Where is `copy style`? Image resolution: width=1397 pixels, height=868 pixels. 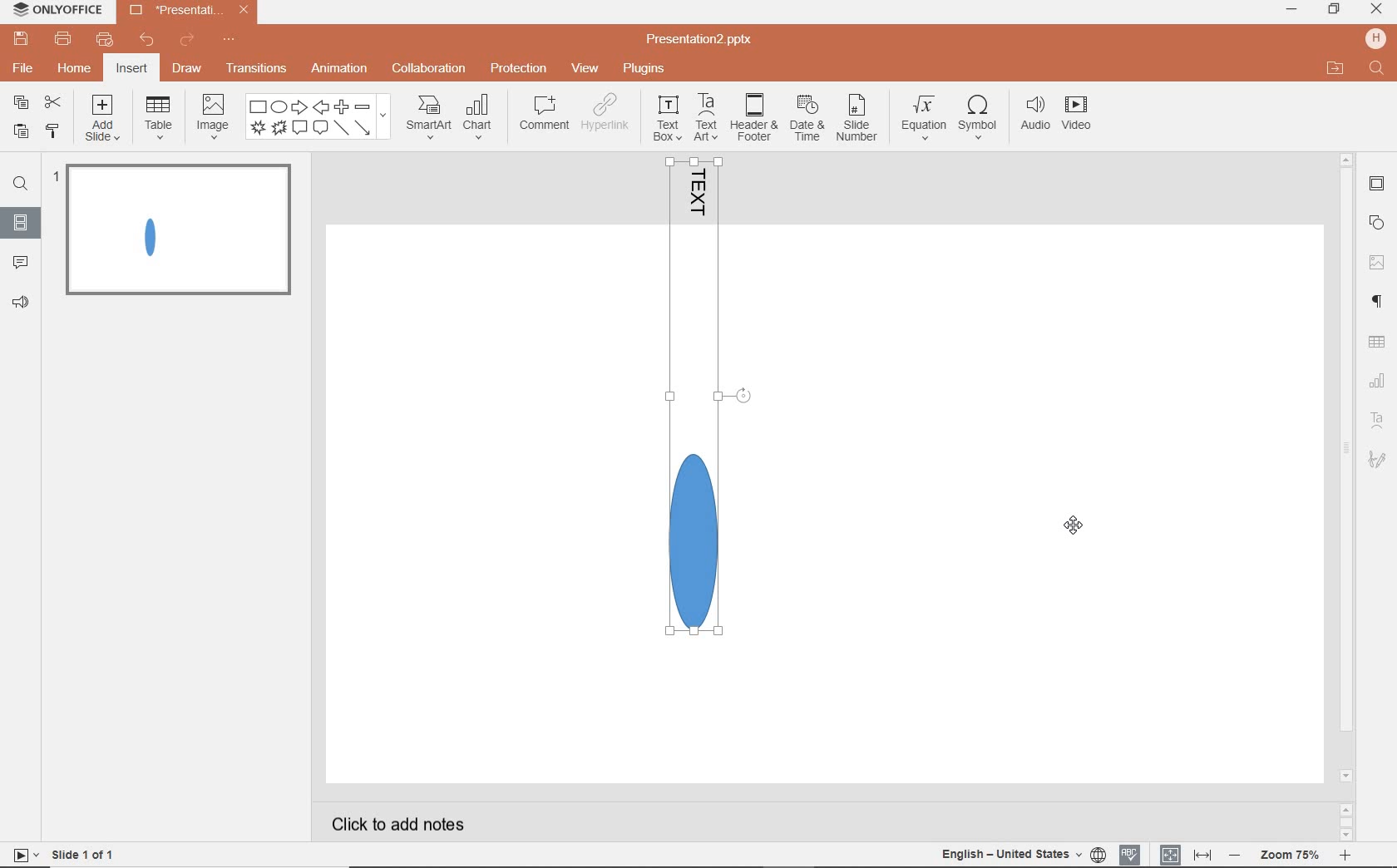 copy style is located at coordinates (52, 131).